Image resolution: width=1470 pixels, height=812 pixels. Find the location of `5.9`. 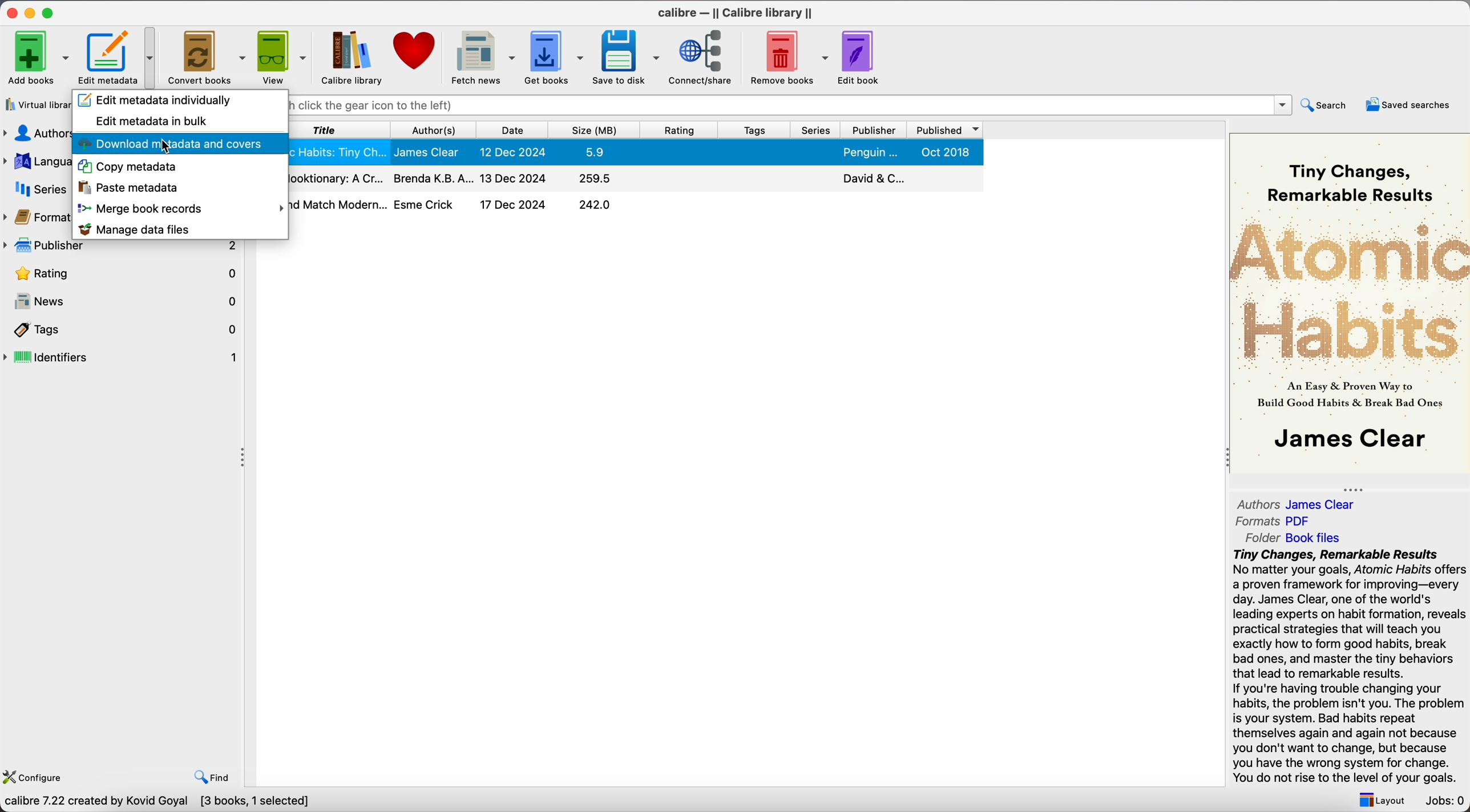

5.9 is located at coordinates (596, 152).